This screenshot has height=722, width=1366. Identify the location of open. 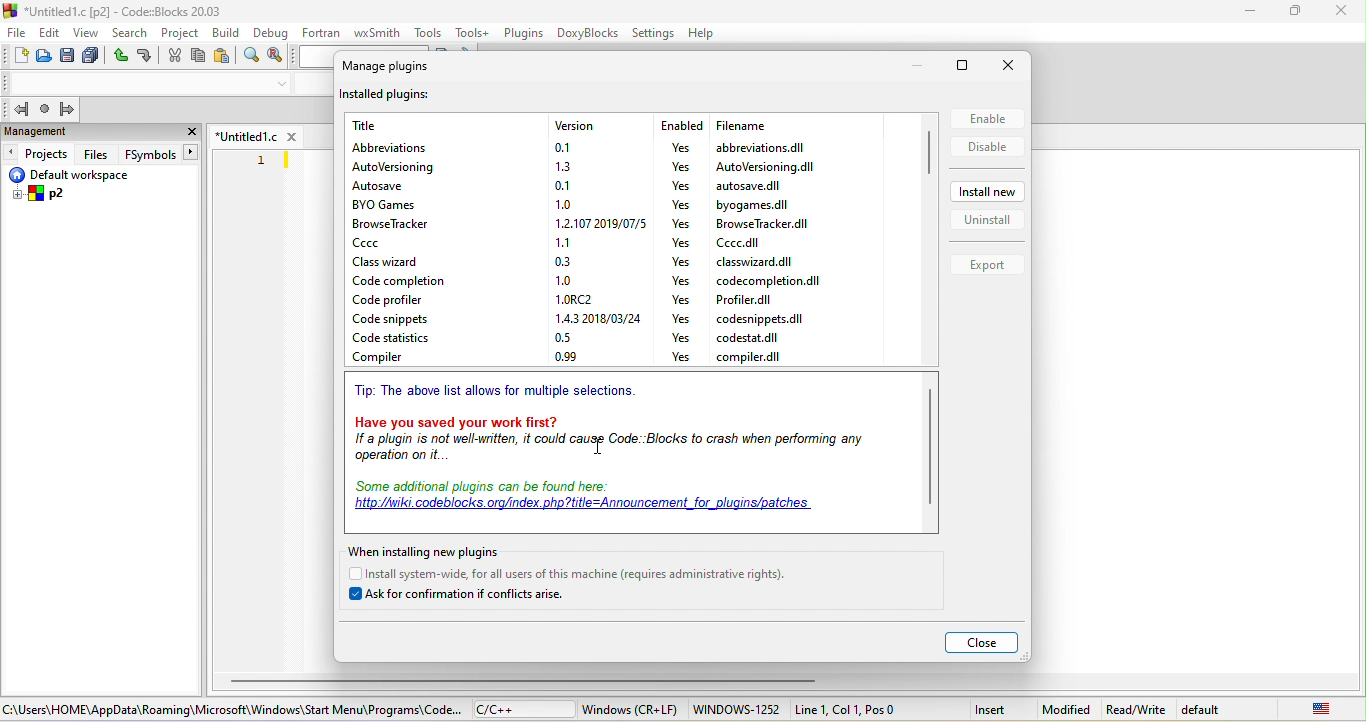
(42, 57).